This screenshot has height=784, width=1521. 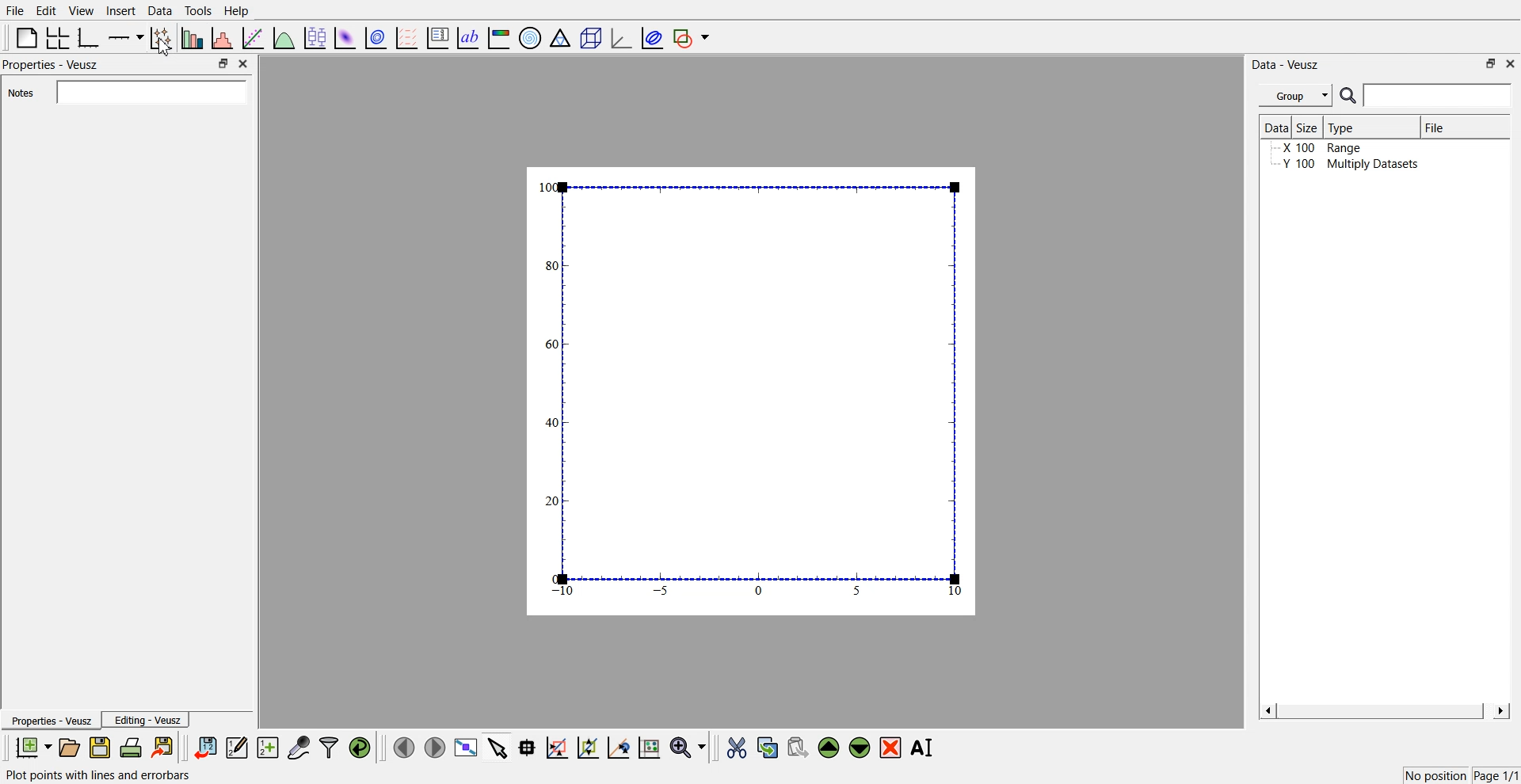 I want to click on Data, so click(x=159, y=11).